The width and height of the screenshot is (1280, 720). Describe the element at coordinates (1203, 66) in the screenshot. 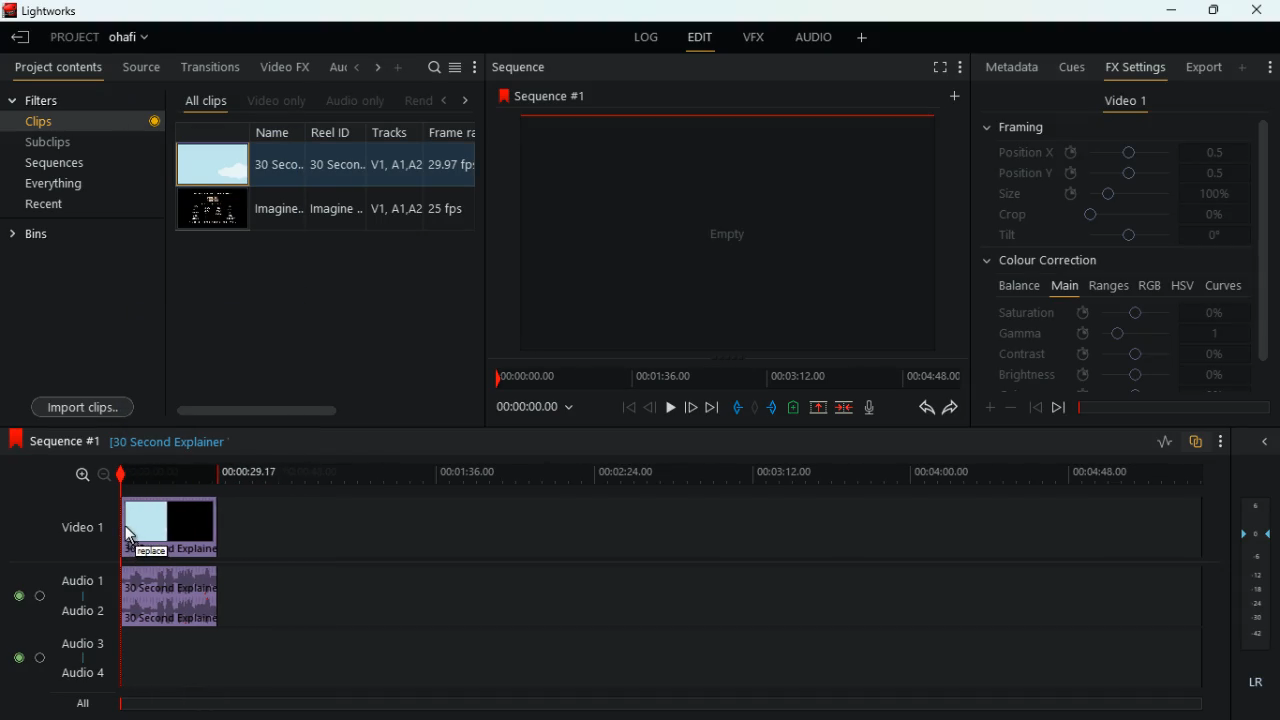

I see `export` at that location.